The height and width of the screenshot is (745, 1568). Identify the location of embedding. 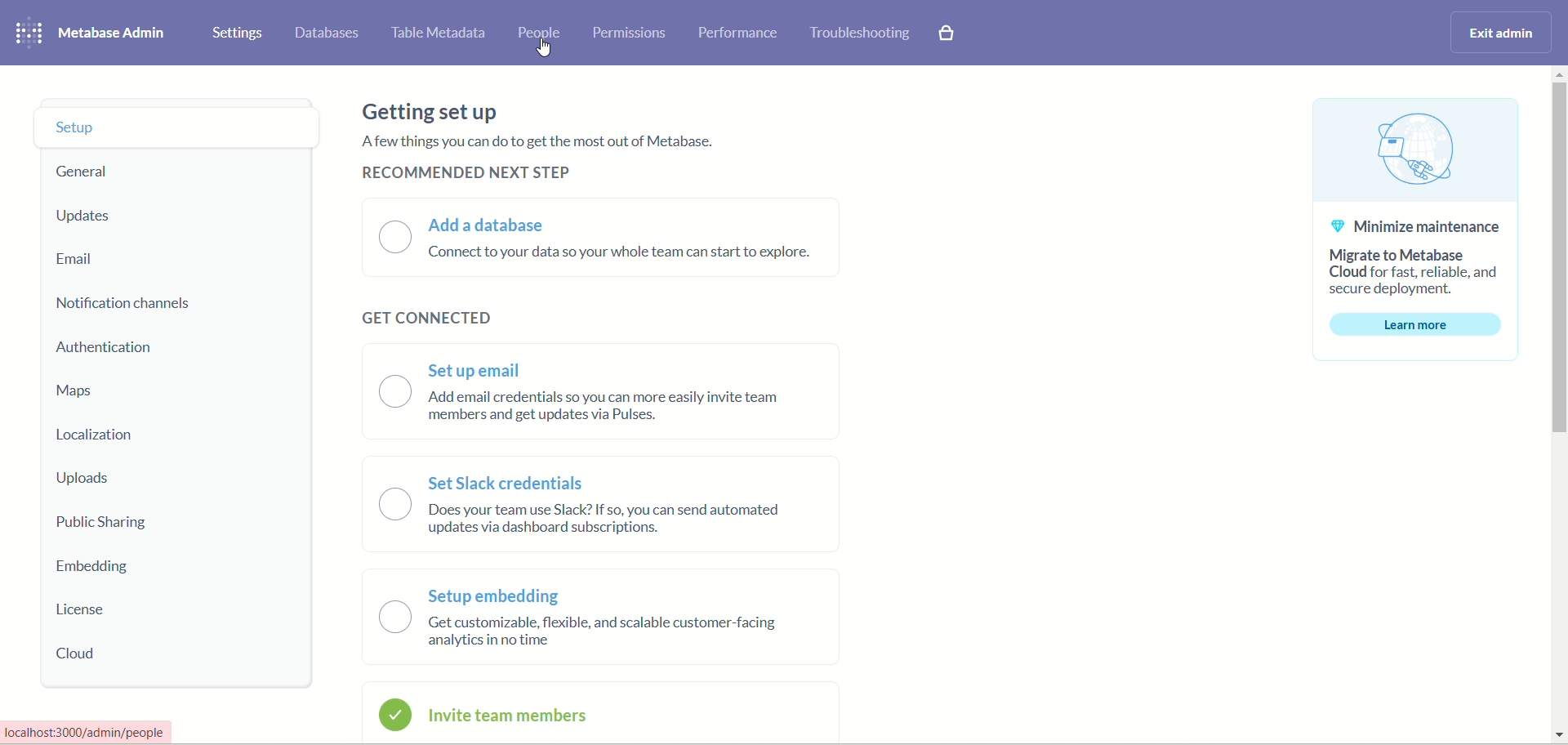
(87, 572).